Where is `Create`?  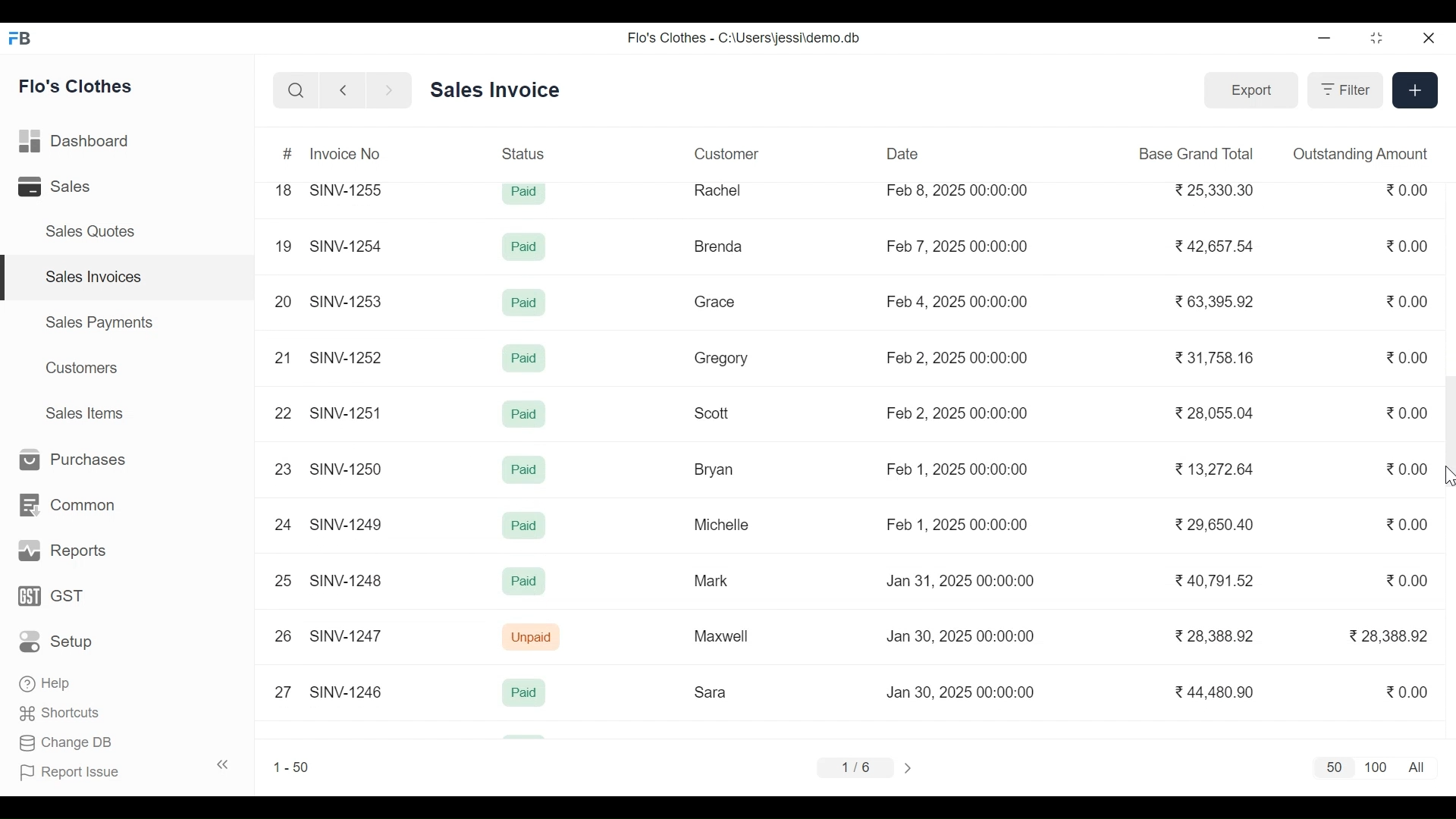 Create is located at coordinates (1414, 89).